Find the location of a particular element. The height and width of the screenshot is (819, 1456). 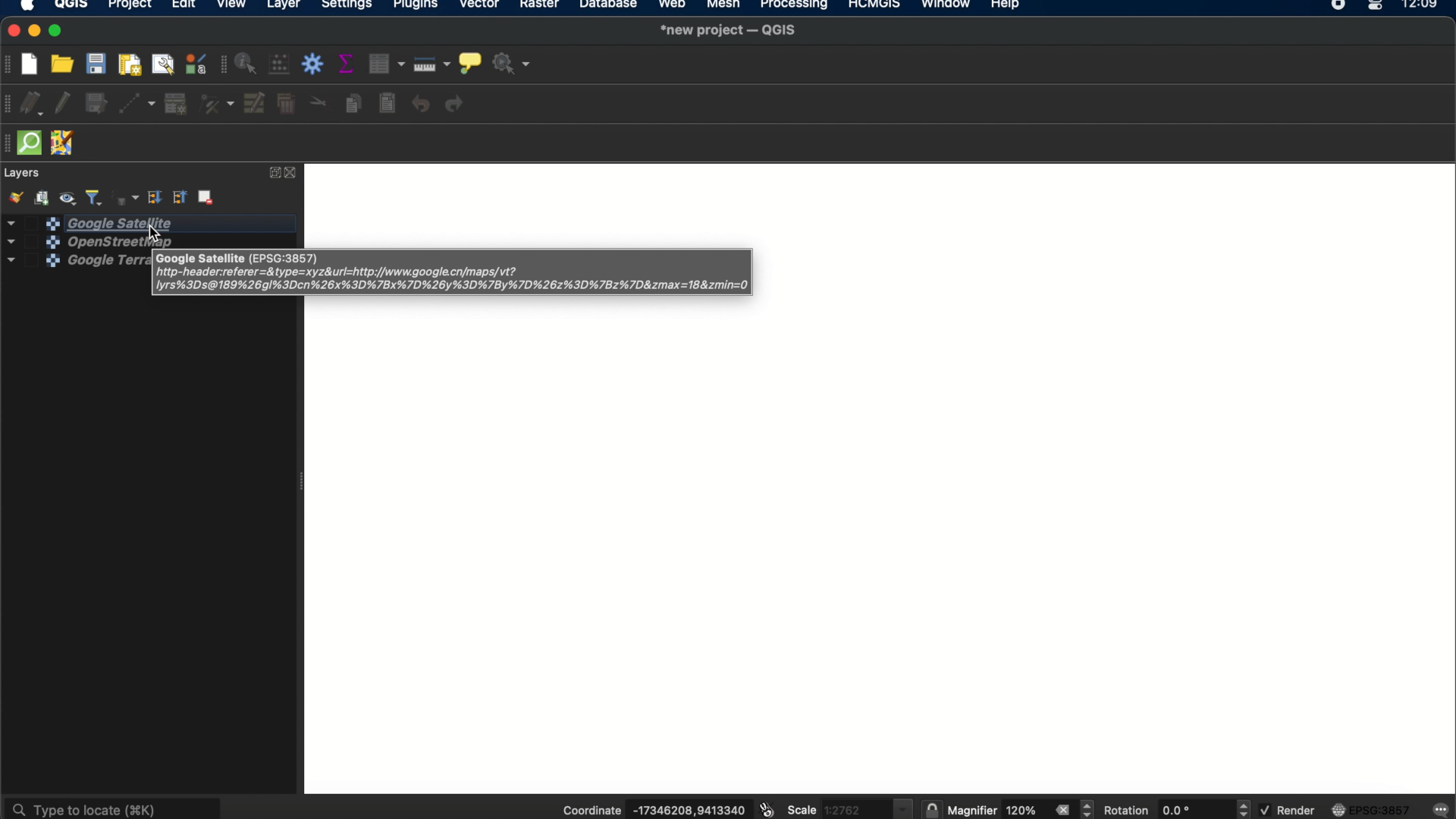

edit is located at coordinates (183, 7).